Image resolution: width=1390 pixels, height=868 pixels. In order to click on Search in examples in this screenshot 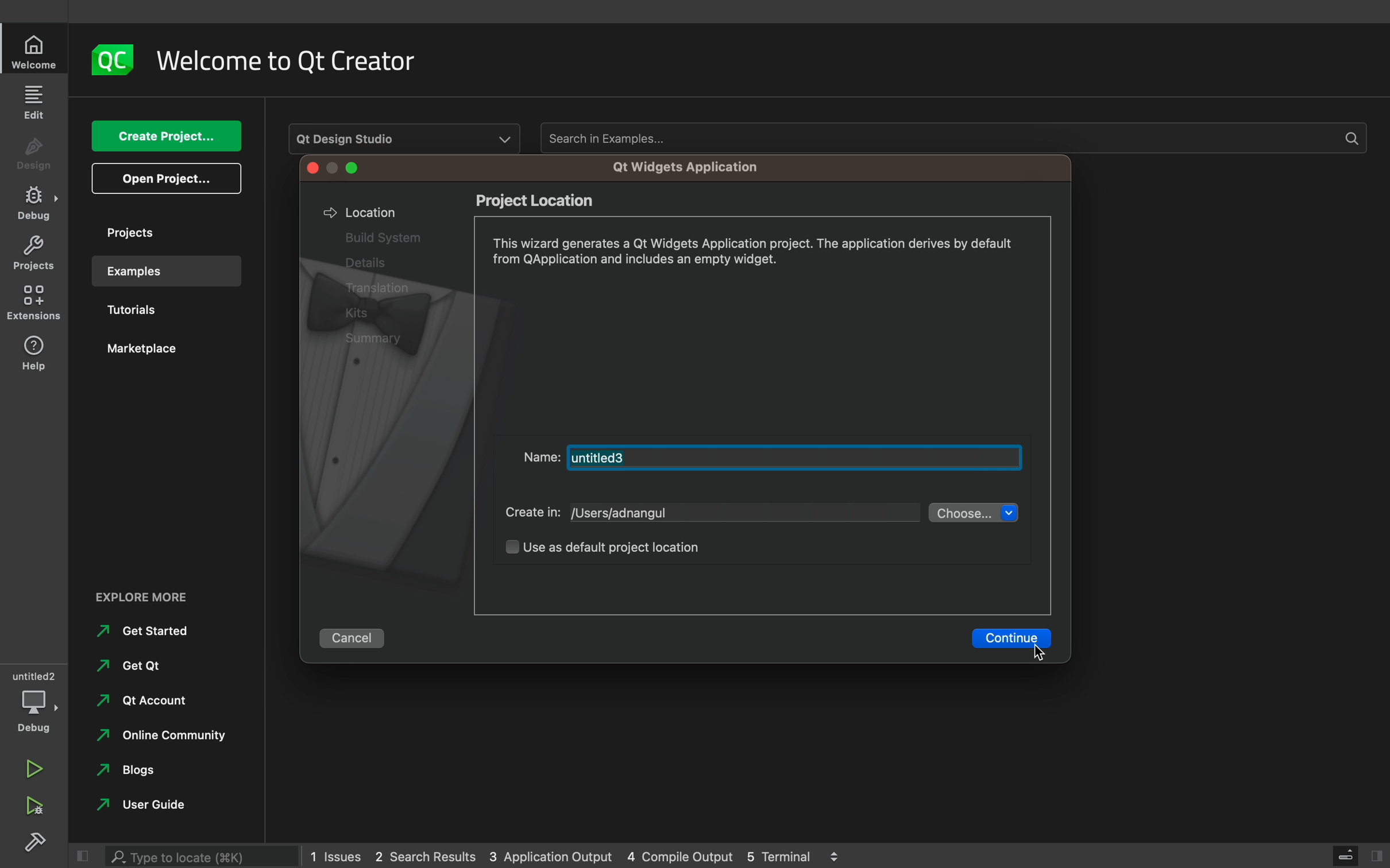, I will do `click(951, 138)`.